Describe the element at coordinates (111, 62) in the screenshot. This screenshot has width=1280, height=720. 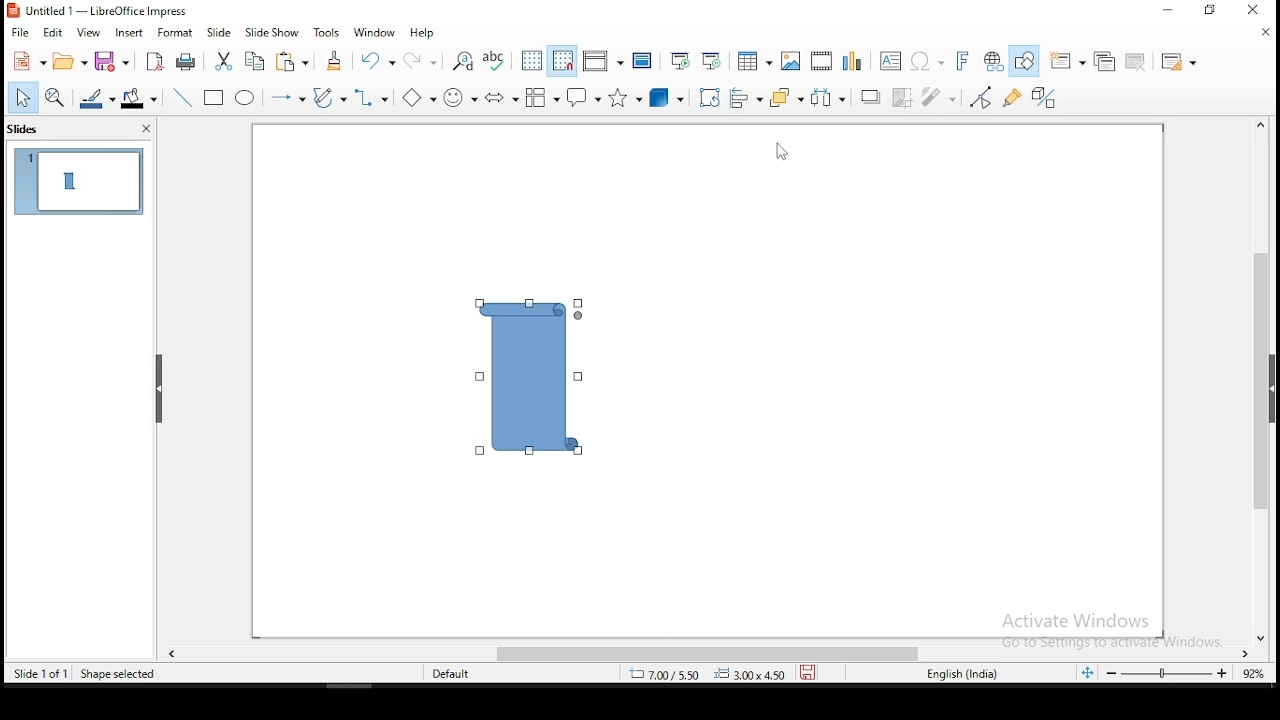
I see `save` at that location.